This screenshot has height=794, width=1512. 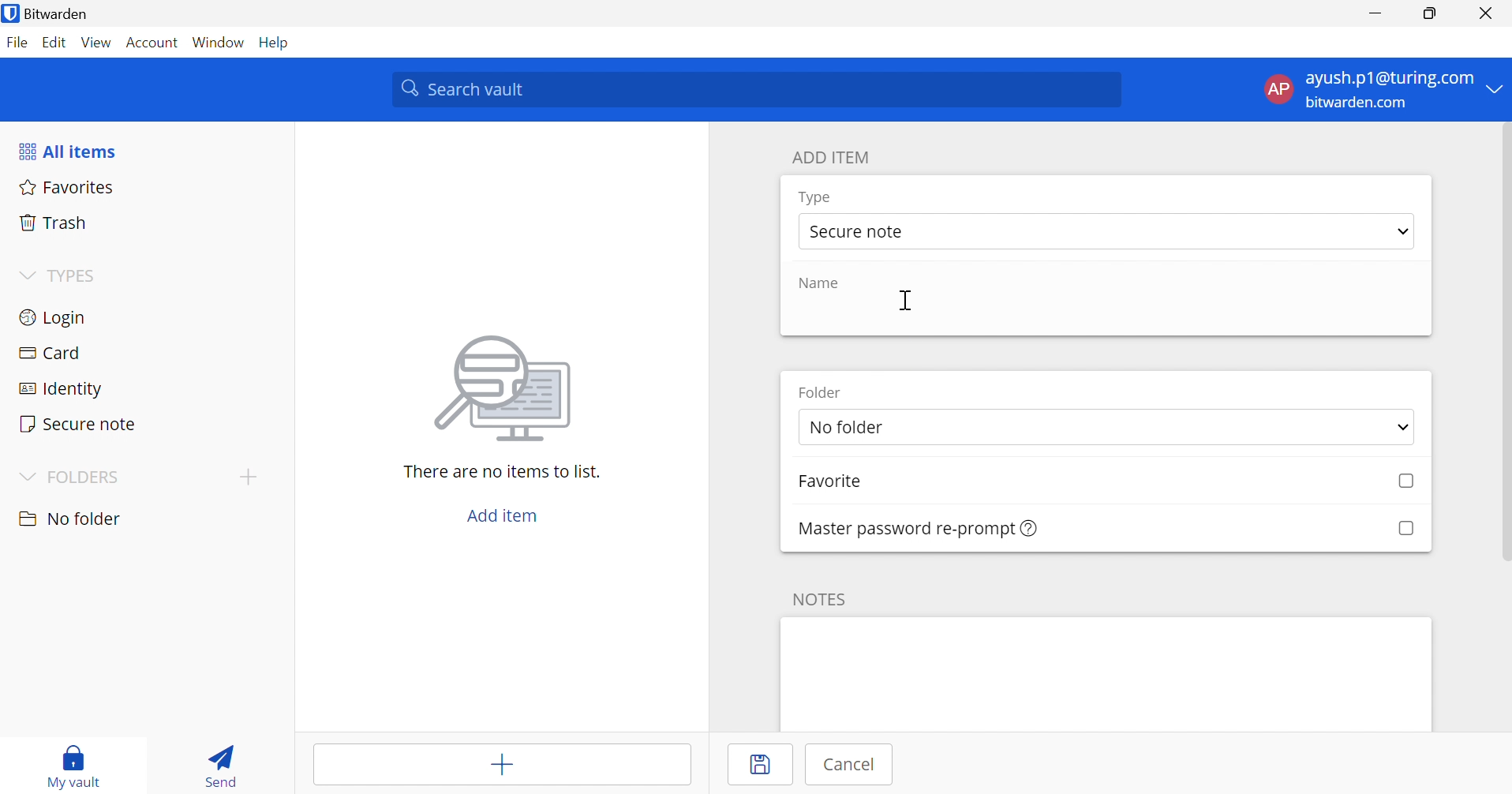 What do you see at coordinates (80, 755) in the screenshot?
I see `My vault` at bounding box center [80, 755].